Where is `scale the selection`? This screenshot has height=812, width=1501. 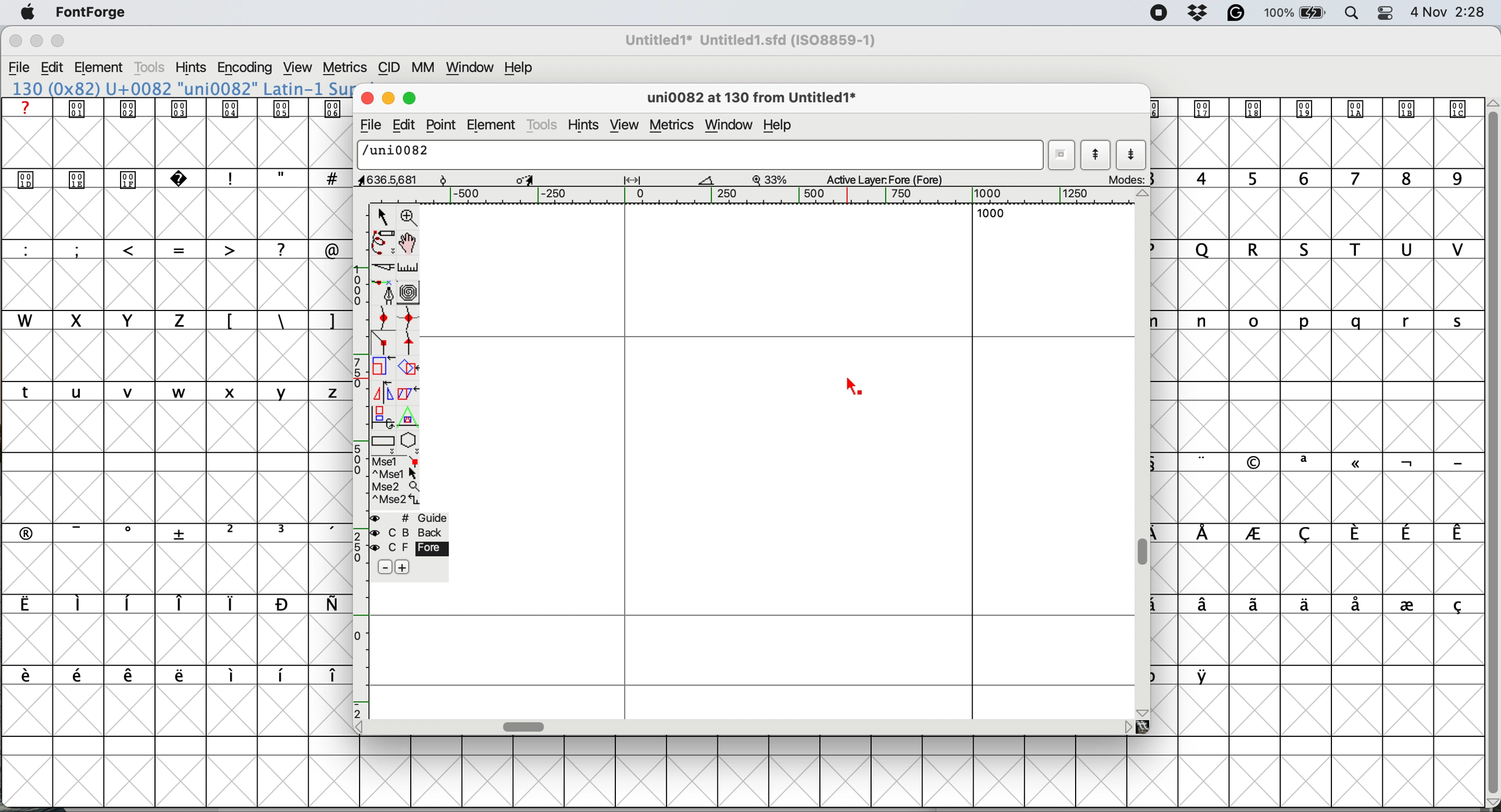
scale the selection is located at coordinates (383, 369).